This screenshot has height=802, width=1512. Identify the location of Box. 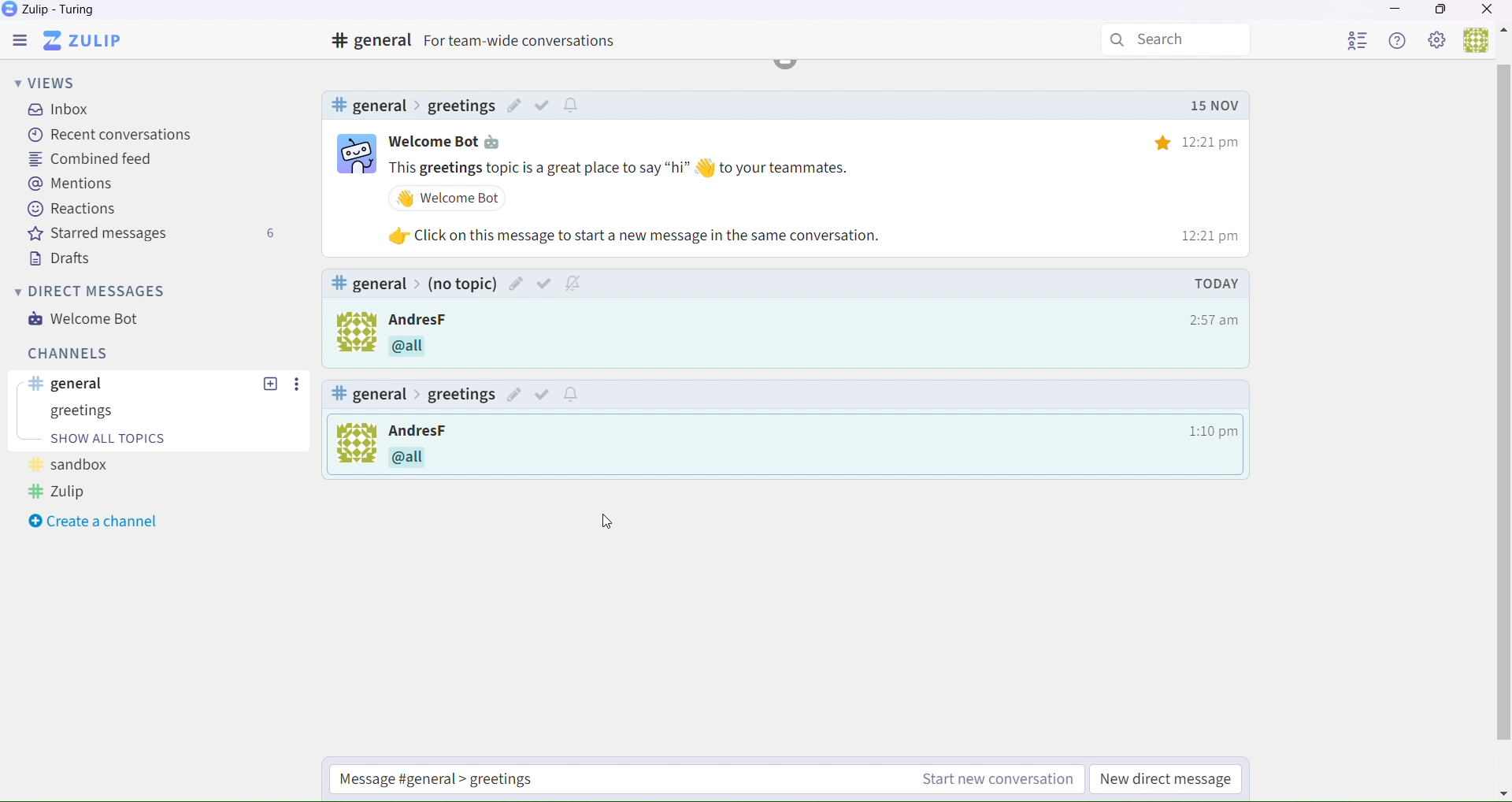
(1442, 13).